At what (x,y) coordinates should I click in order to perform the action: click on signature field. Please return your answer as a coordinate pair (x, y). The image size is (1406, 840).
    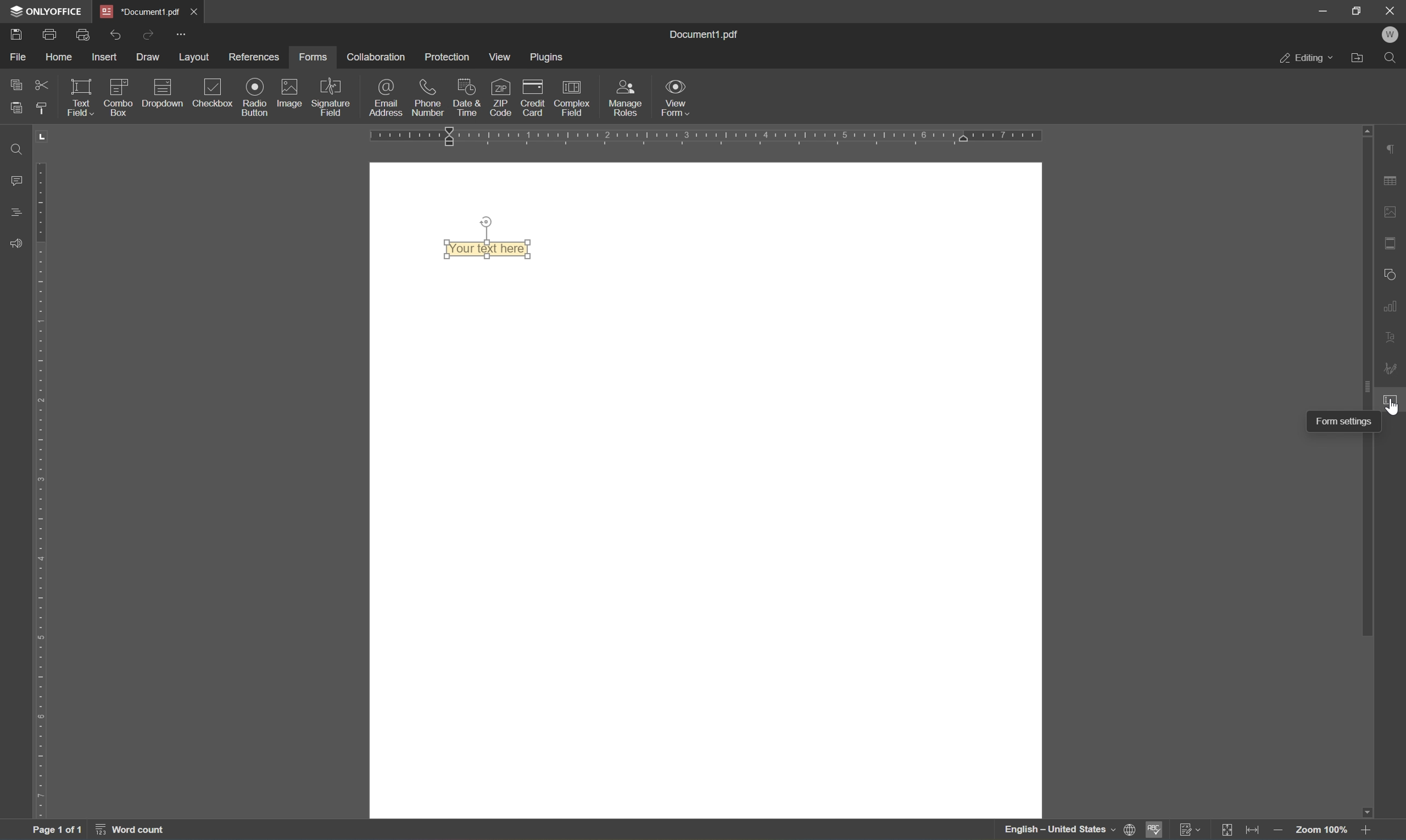
    Looking at the image, I should click on (332, 97).